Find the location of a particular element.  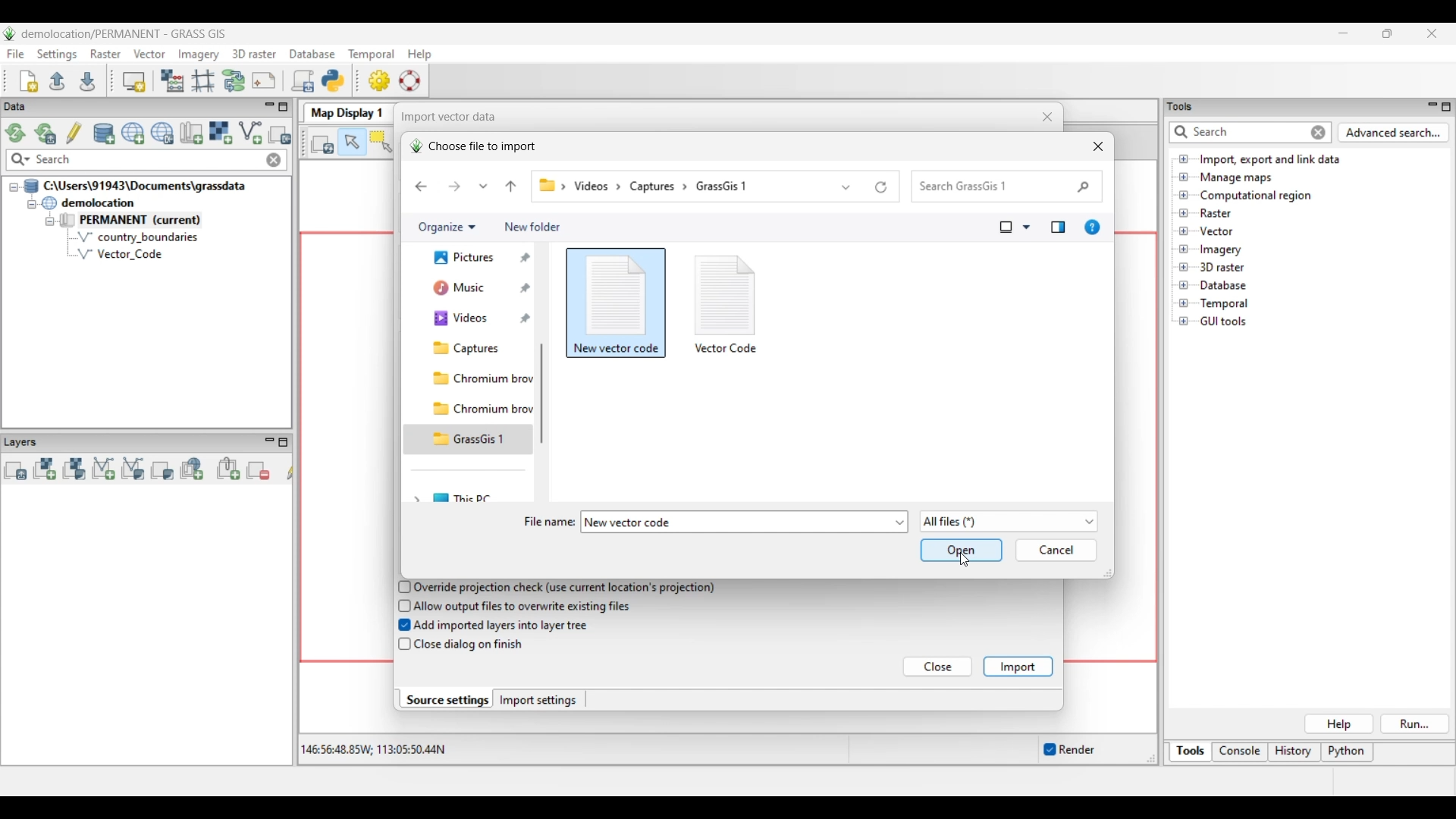

Show interface in a smaller tab is located at coordinates (1387, 33).